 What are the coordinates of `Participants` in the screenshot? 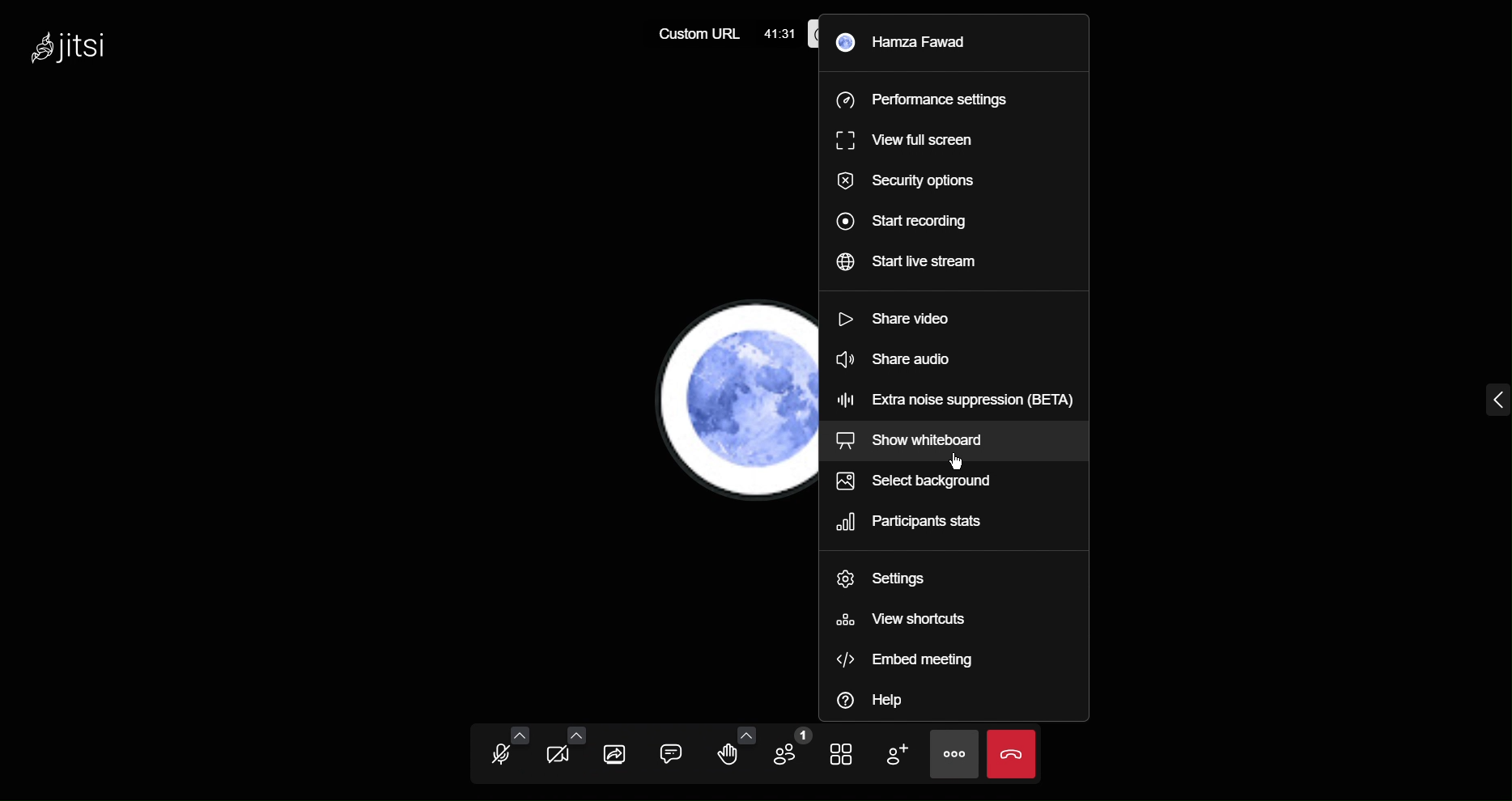 It's located at (916, 524).